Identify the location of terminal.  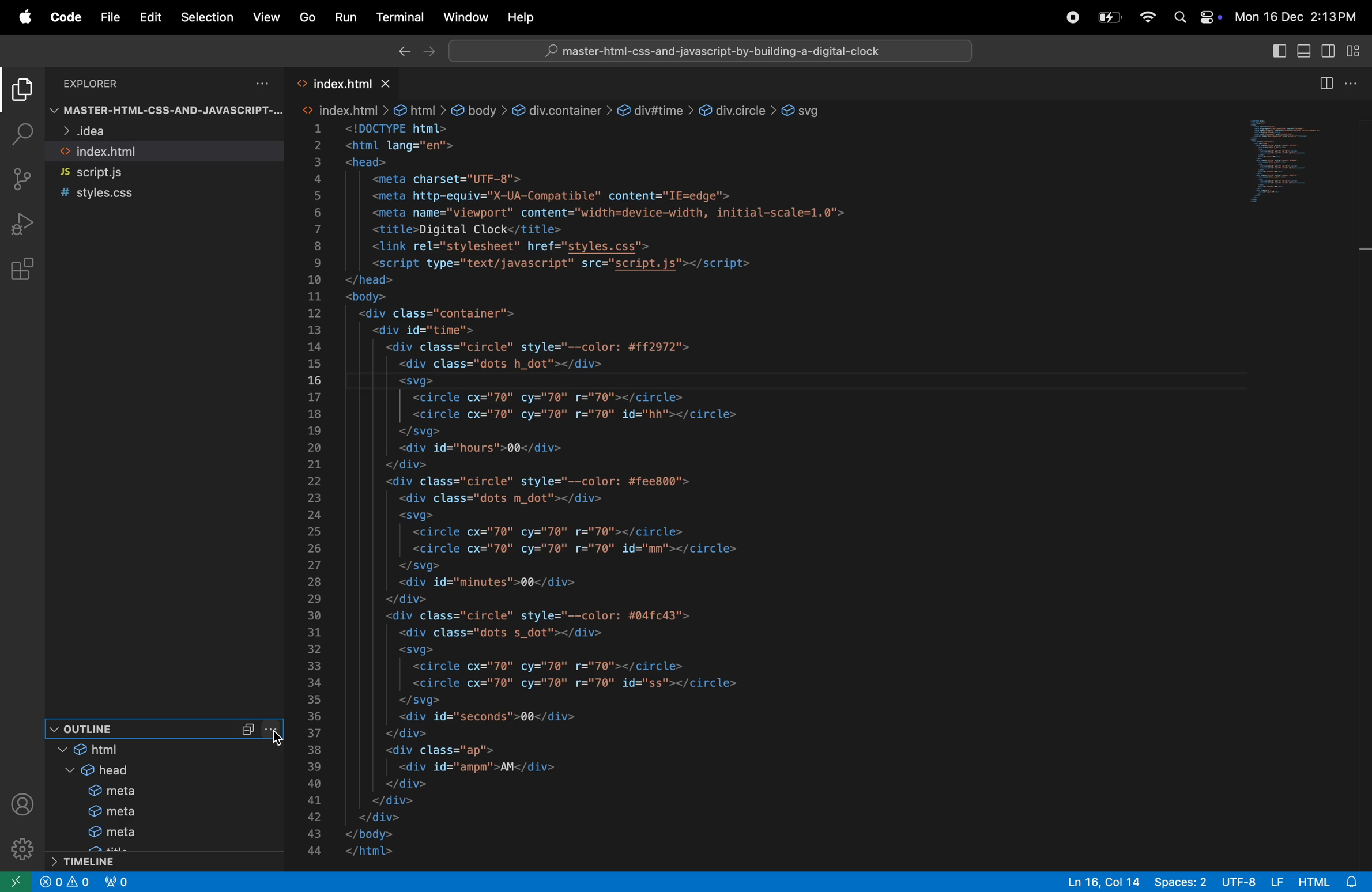
(400, 20).